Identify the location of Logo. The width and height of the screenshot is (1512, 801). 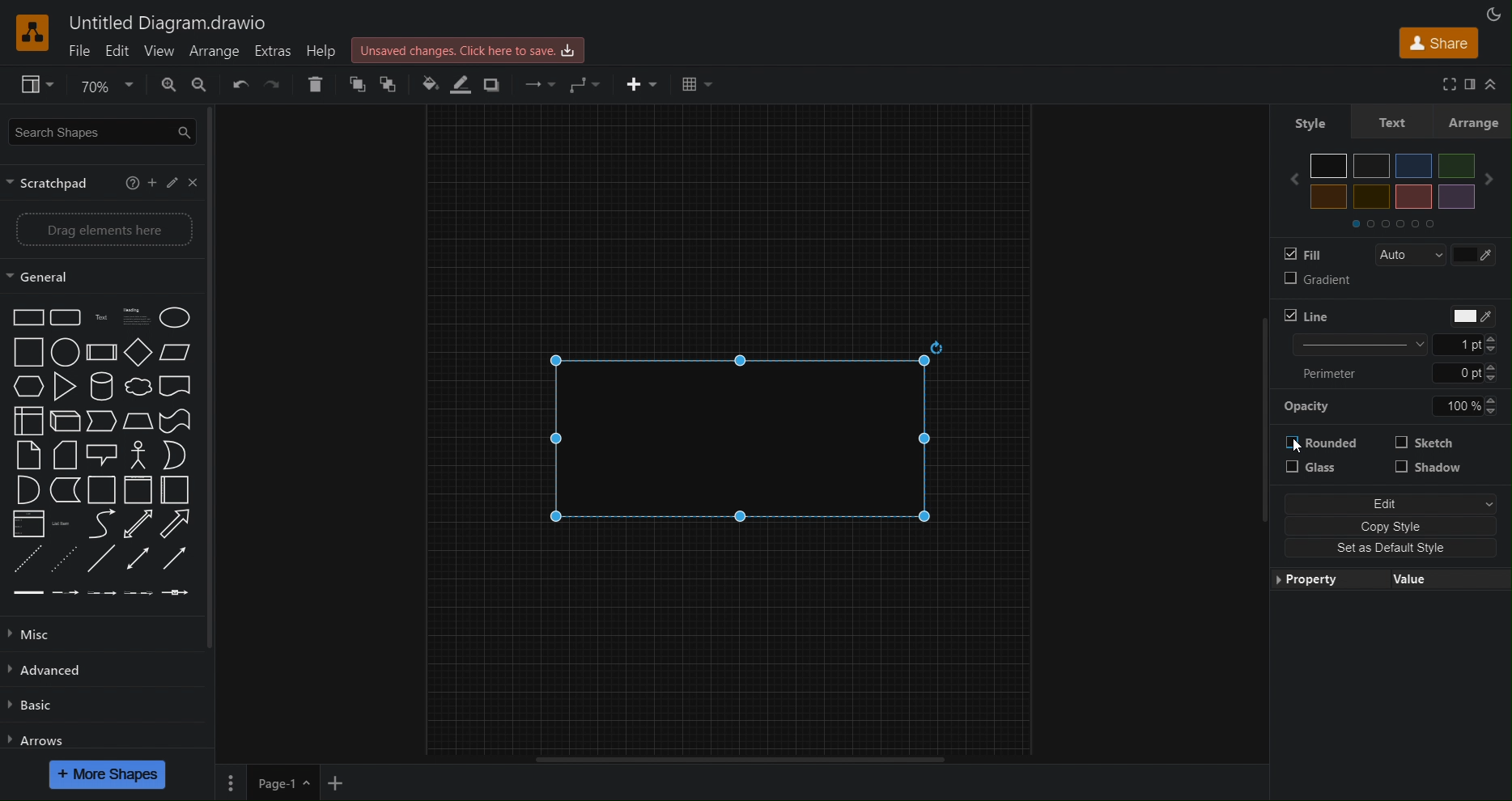
(32, 32).